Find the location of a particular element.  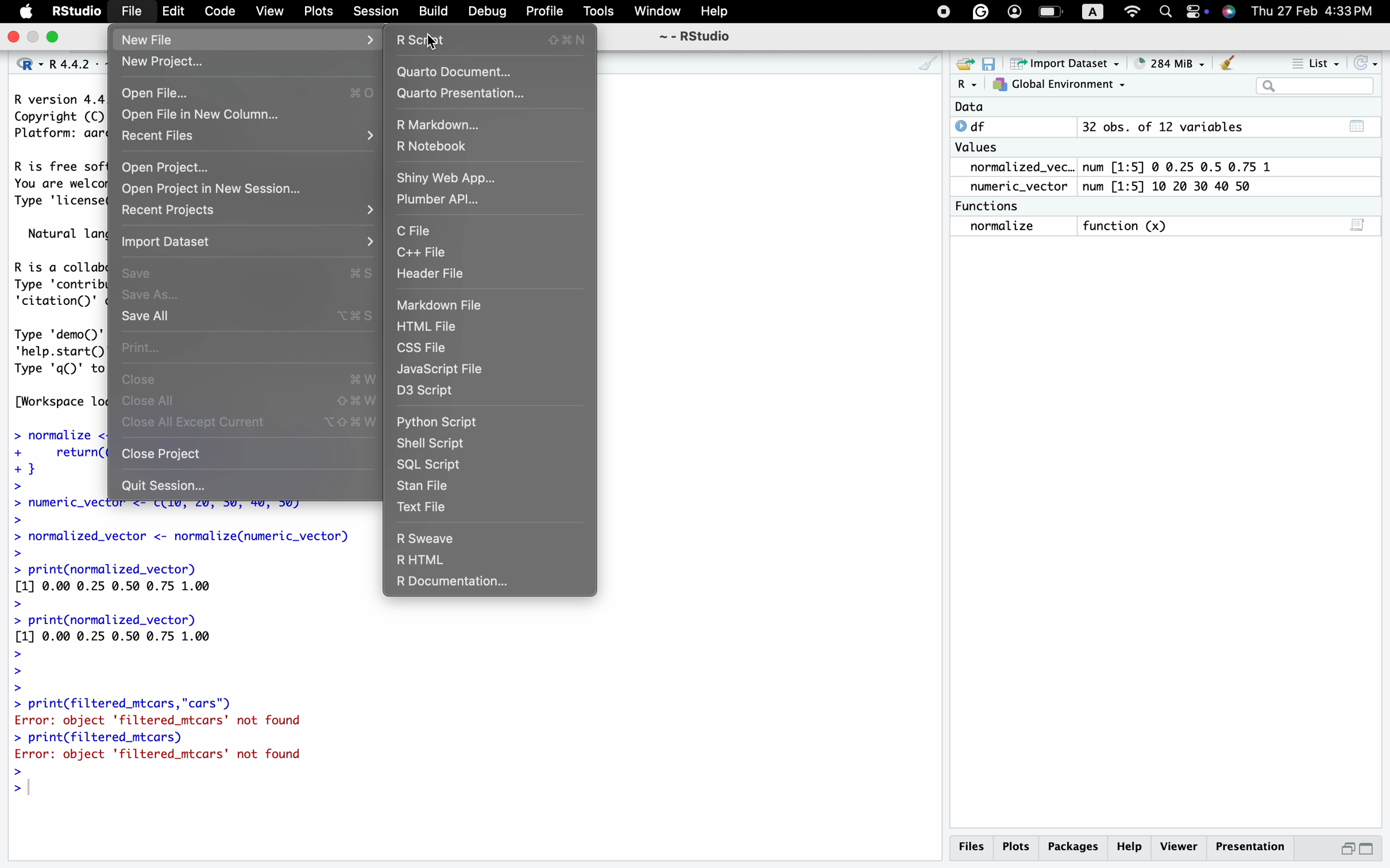

R 4.4.2 is located at coordinates (53, 65).